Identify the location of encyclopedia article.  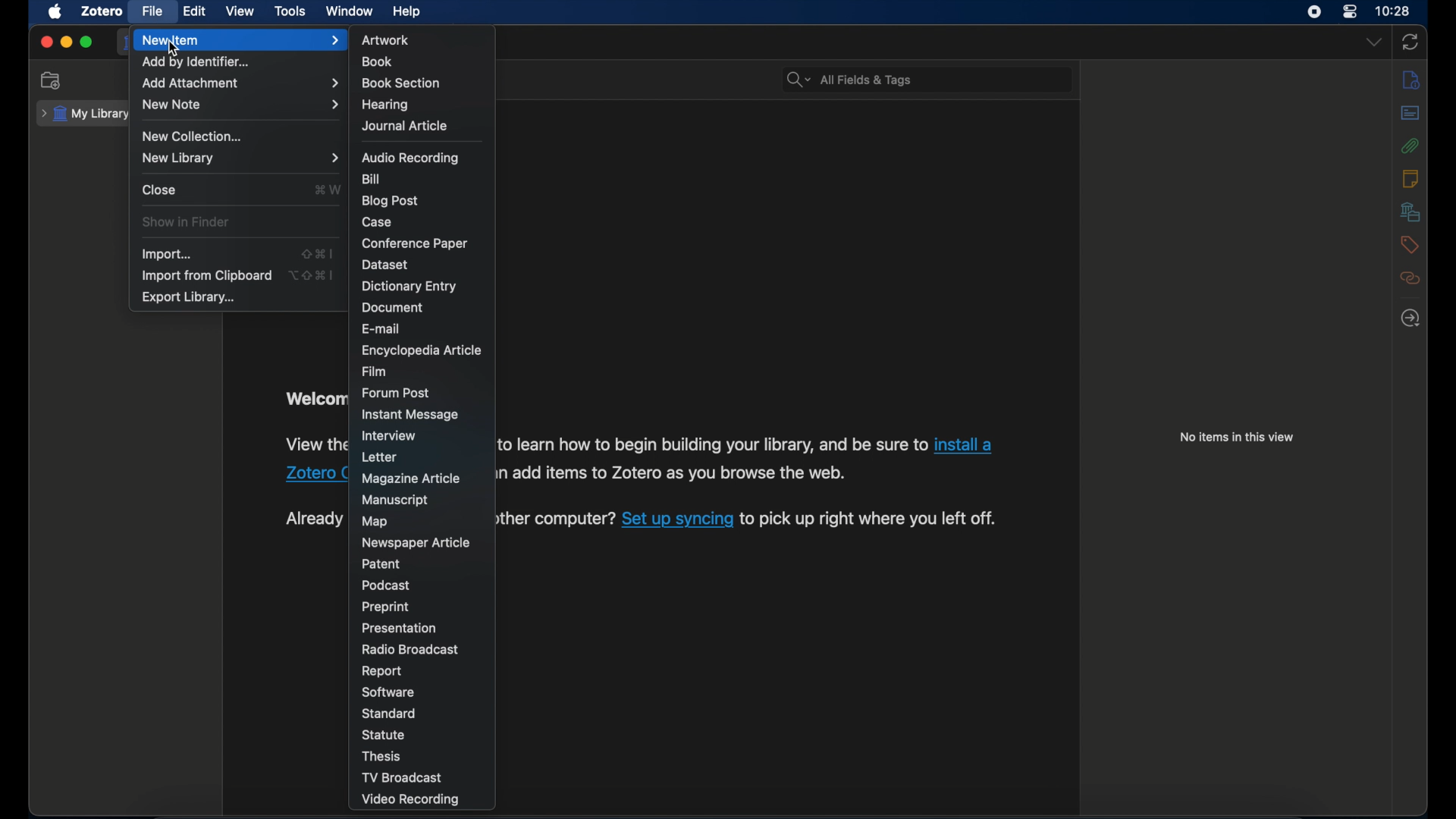
(422, 351).